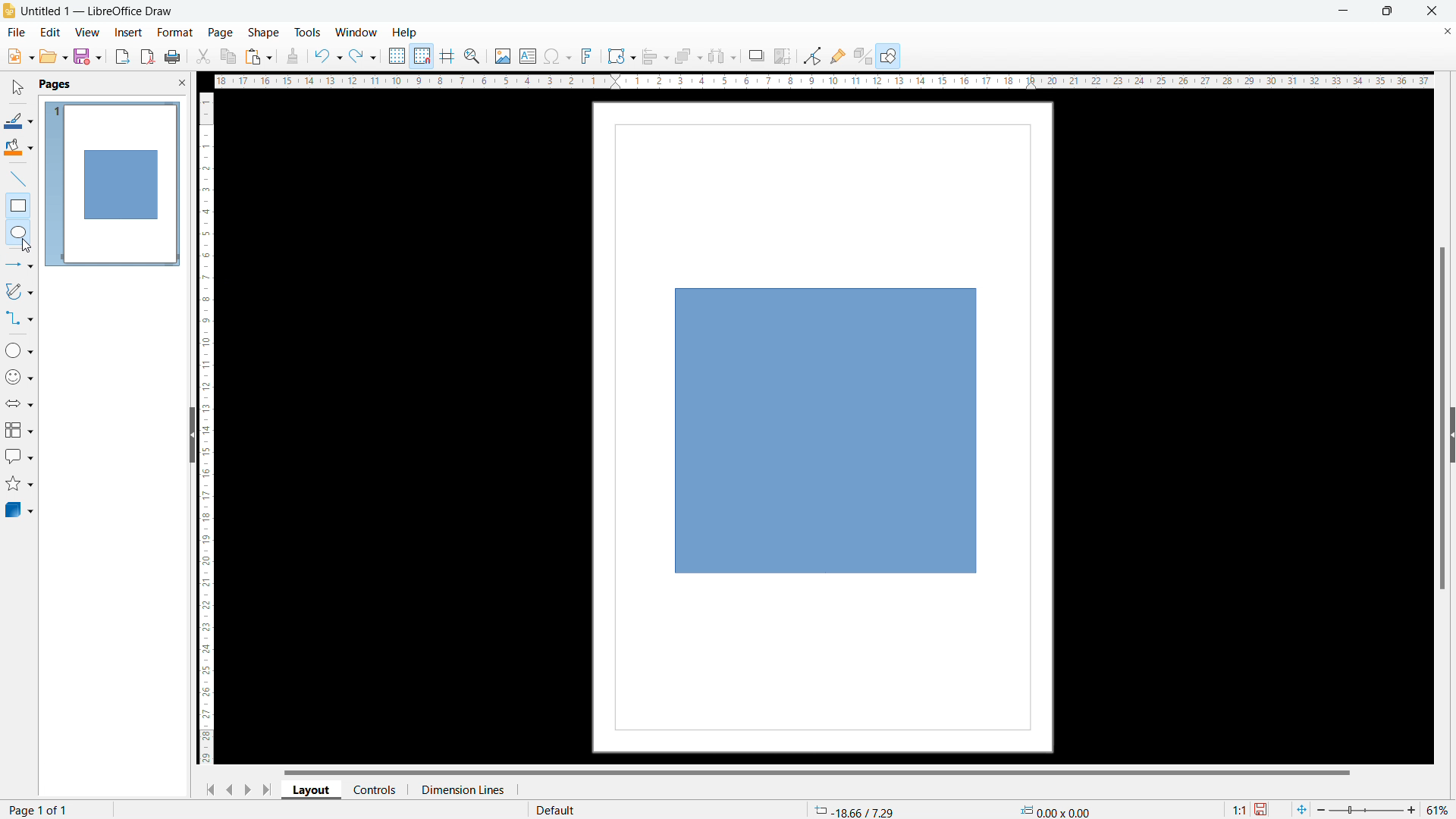  What do you see at coordinates (147, 57) in the screenshot?
I see `export directly as pdf` at bounding box center [147, 57].